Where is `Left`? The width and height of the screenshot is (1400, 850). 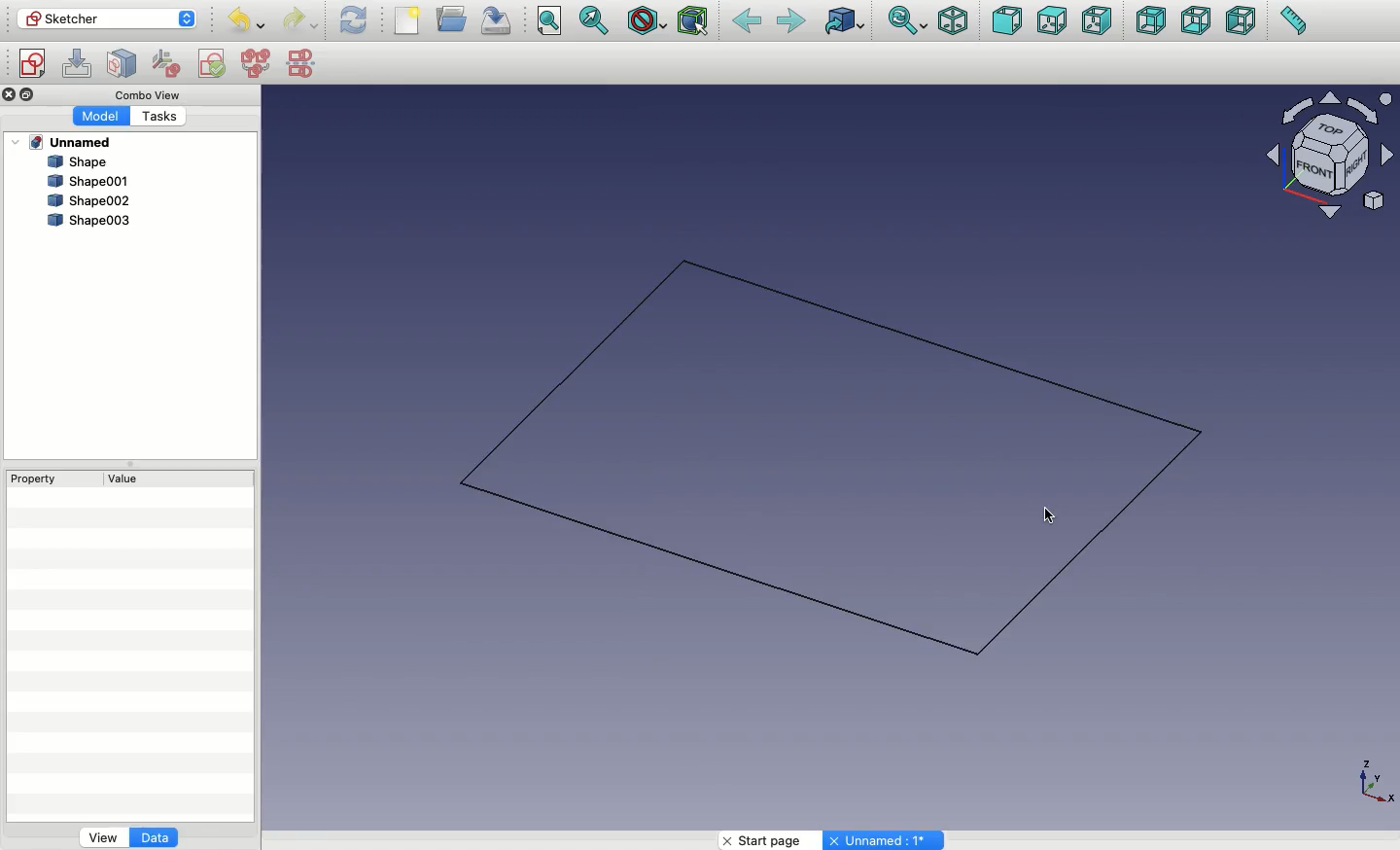 Left is located at coordinates (1241, 20).